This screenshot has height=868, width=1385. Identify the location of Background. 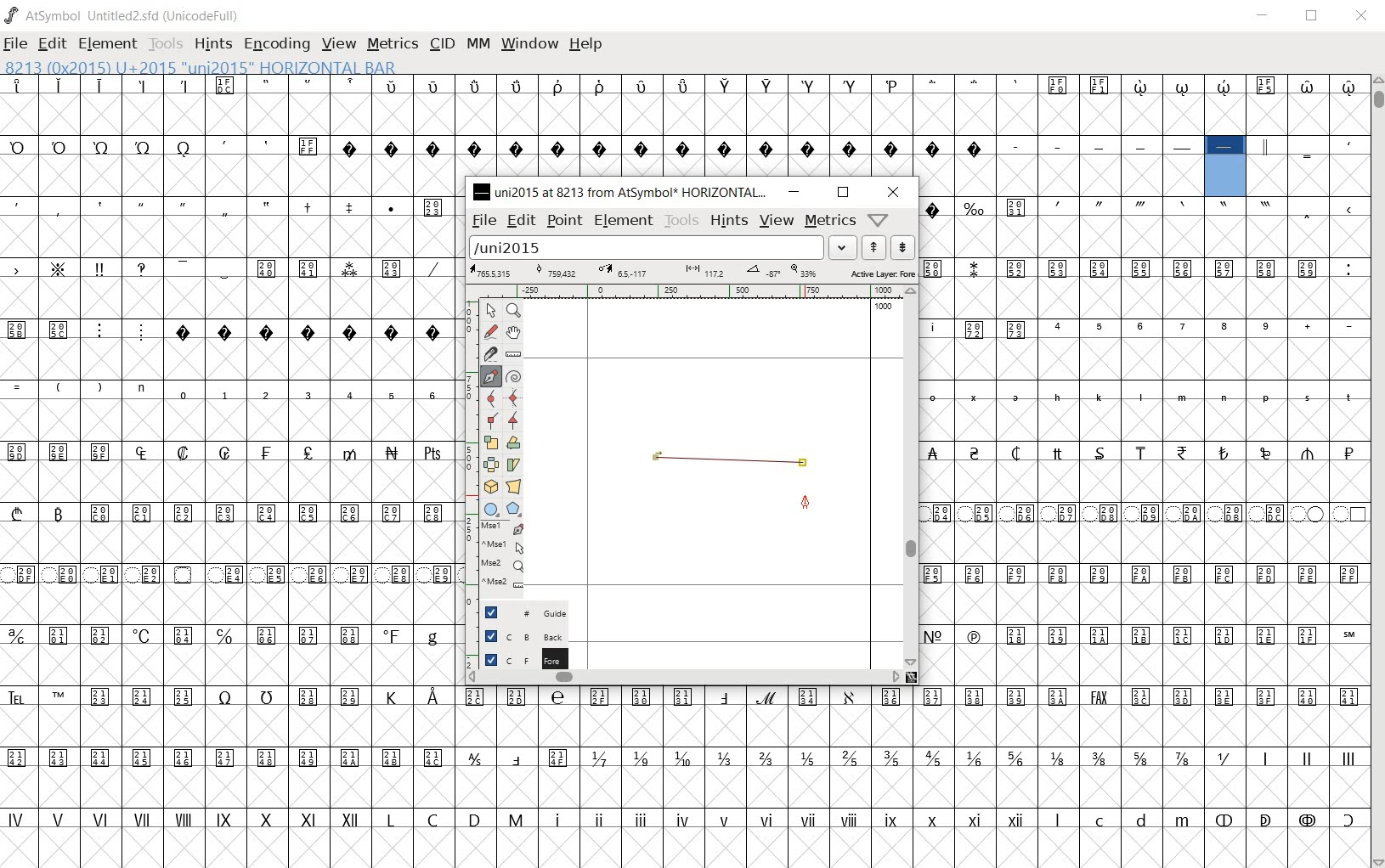
(518, 636).